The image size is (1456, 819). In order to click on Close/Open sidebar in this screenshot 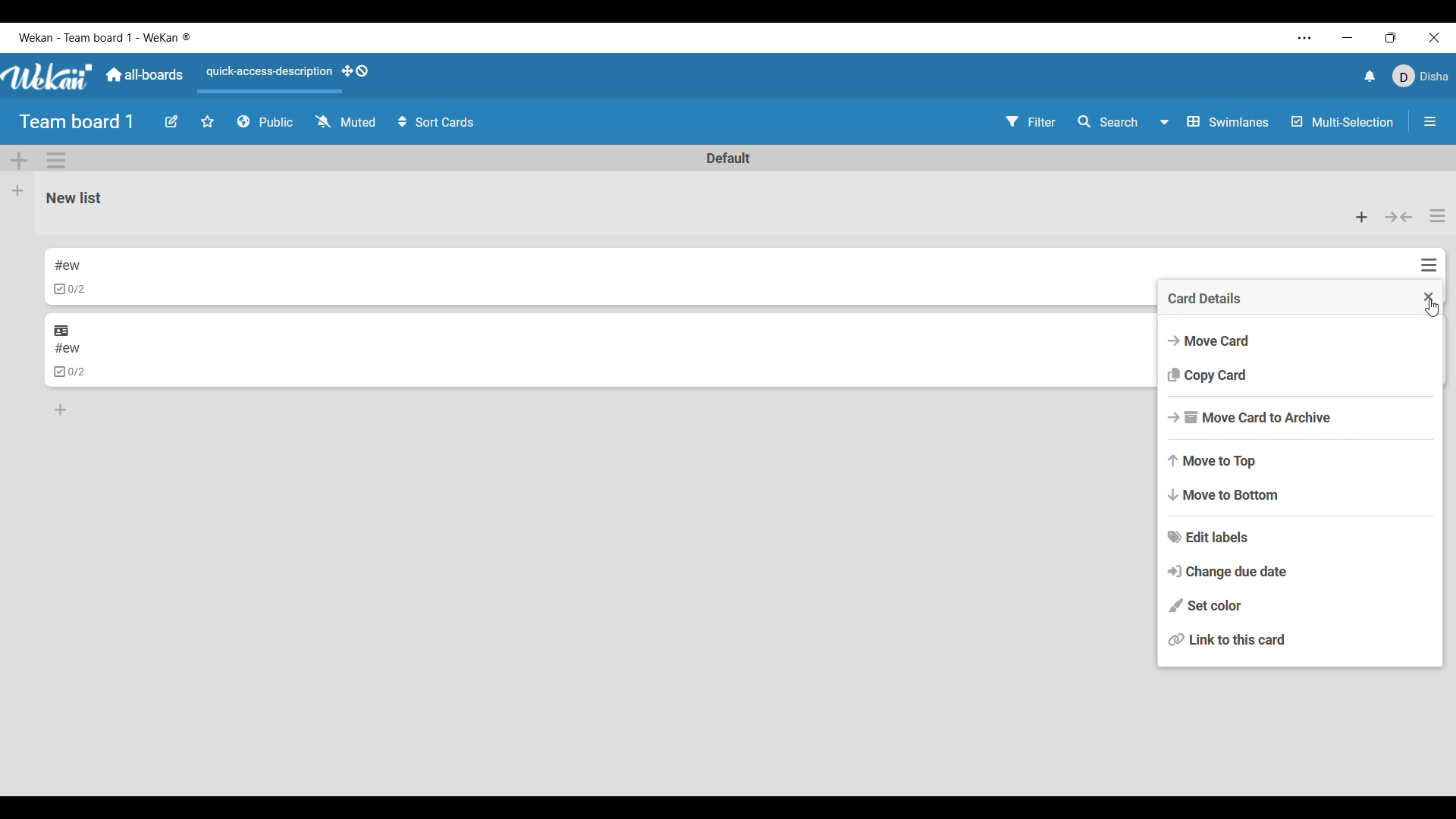, I will do `click(1430, 122)`.